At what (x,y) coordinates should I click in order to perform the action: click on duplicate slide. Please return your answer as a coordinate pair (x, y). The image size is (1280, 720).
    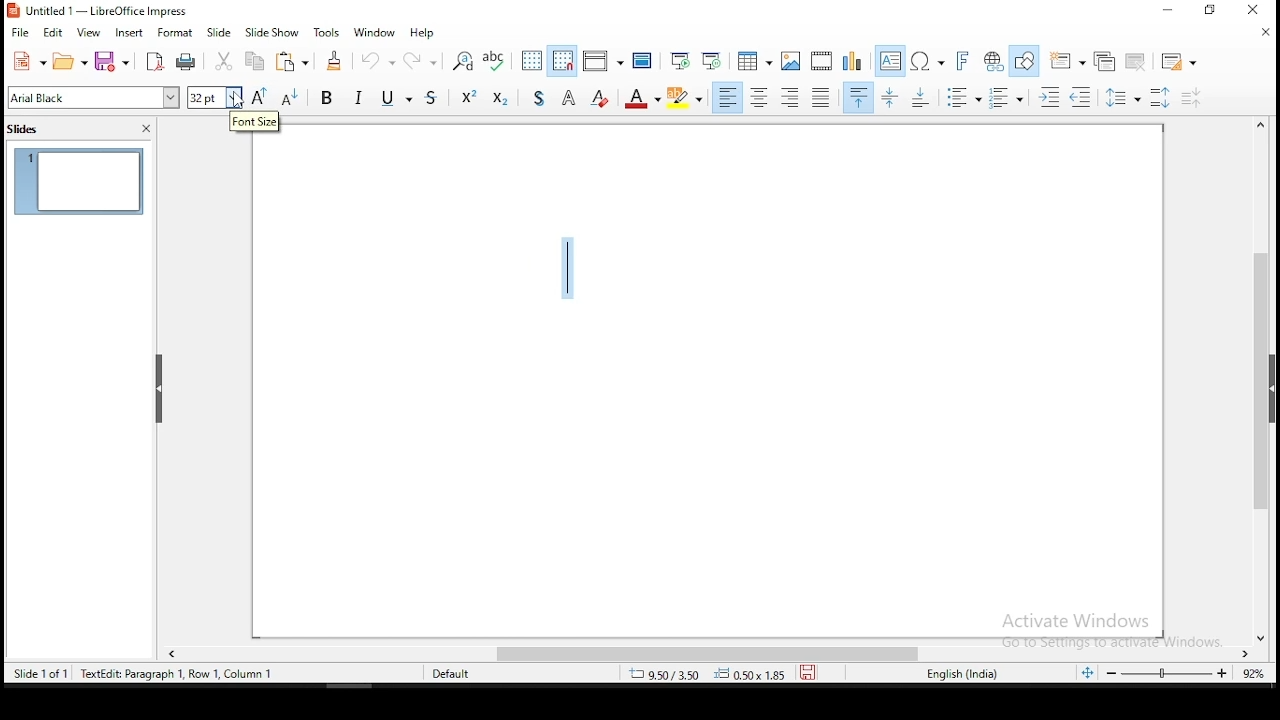
    Looking at the image, I should click on (1108, 60).